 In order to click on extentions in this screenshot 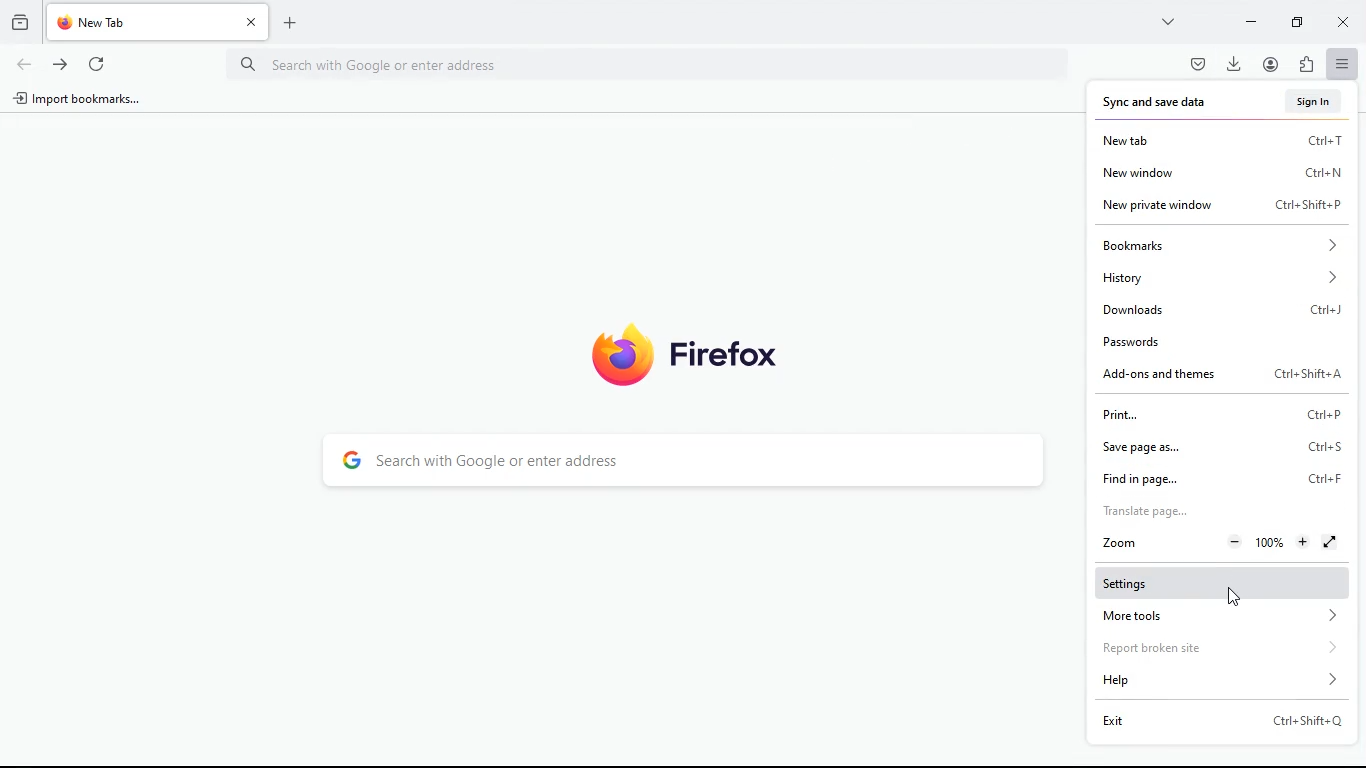, I will do `click(1306, 66)`.